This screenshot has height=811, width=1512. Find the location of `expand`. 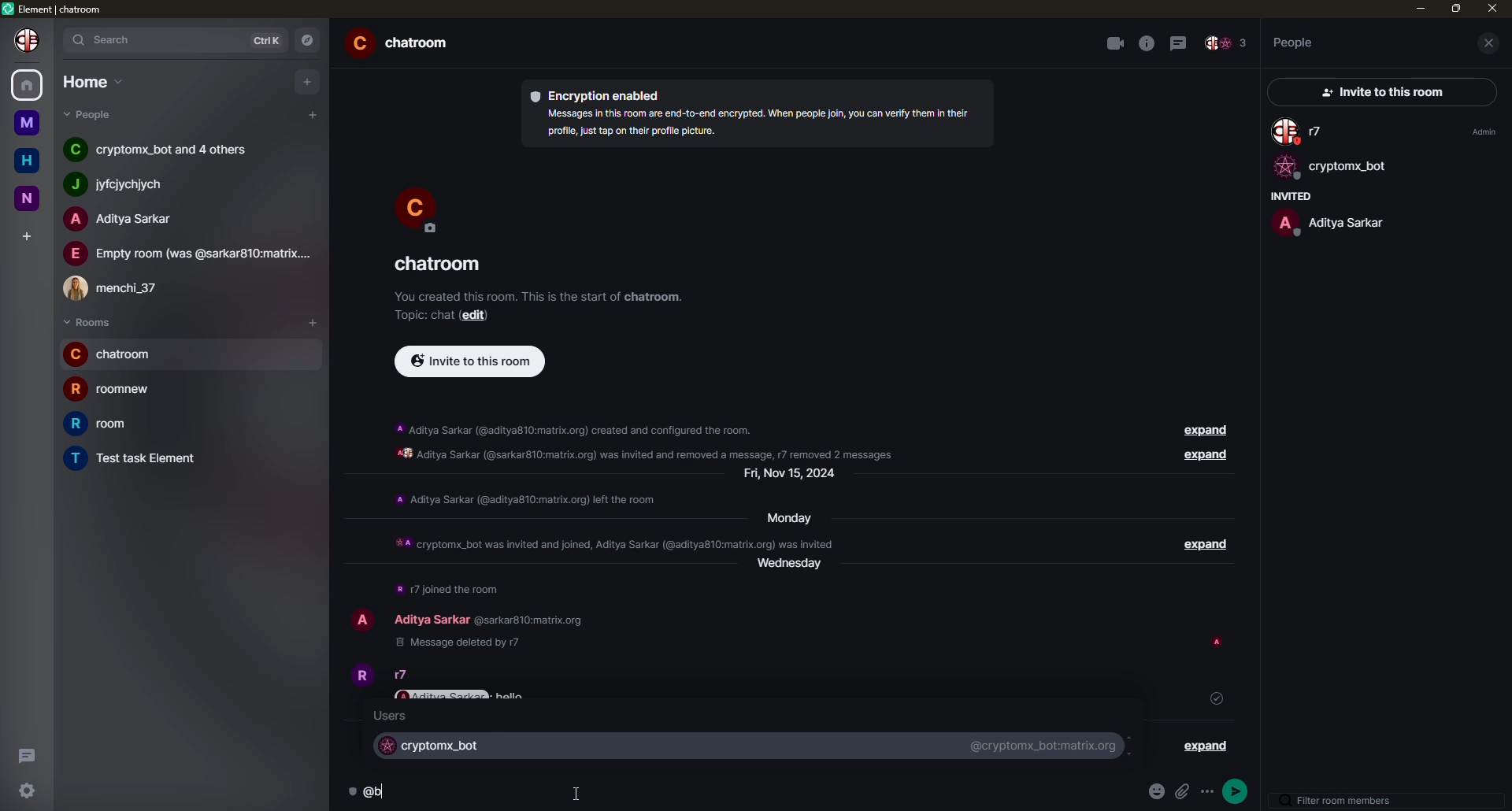

expand is located at coordinates (1200, 457).